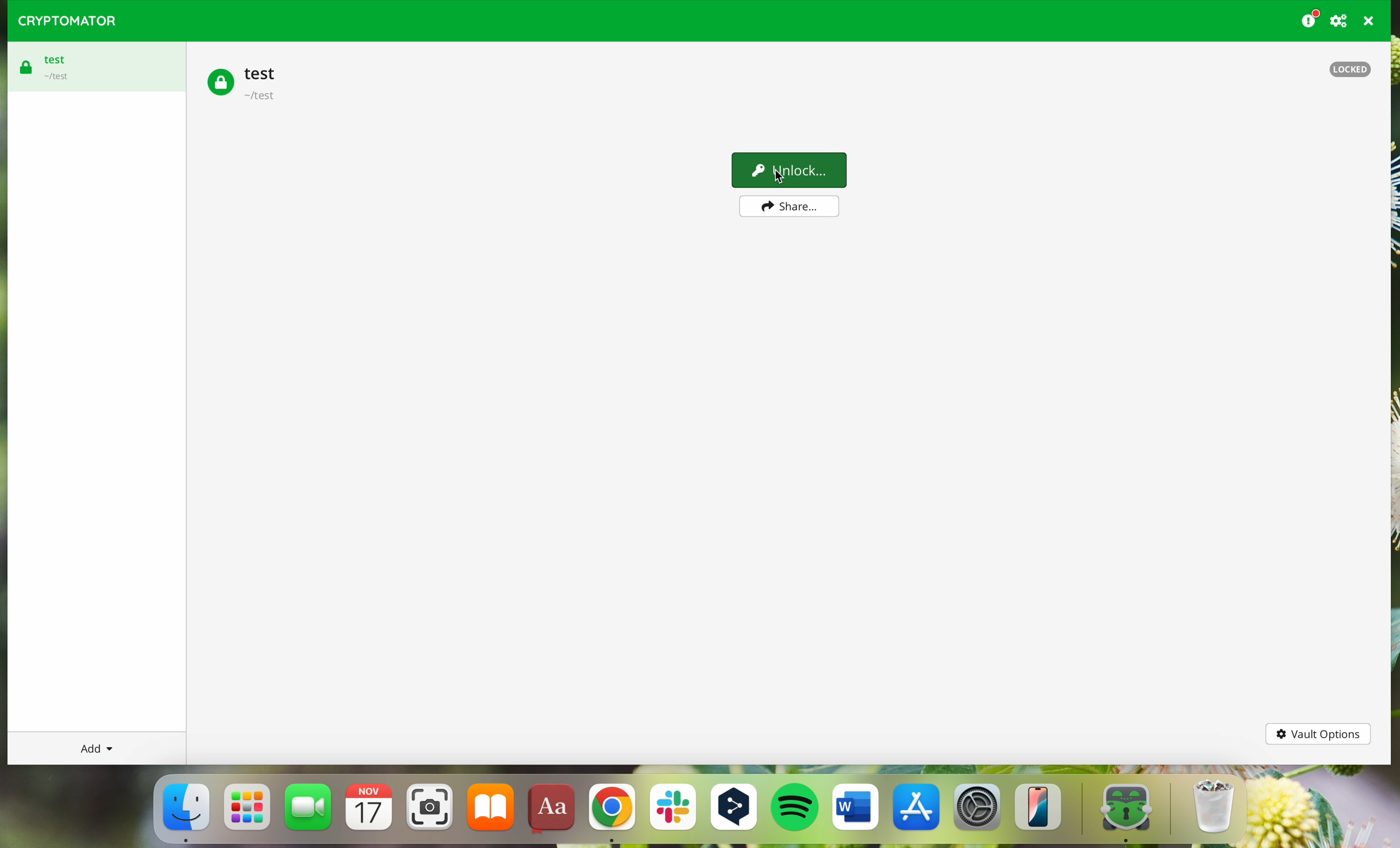 This screenshot has width=1400, height=848. I want to click on locked, so click(1351, 69).